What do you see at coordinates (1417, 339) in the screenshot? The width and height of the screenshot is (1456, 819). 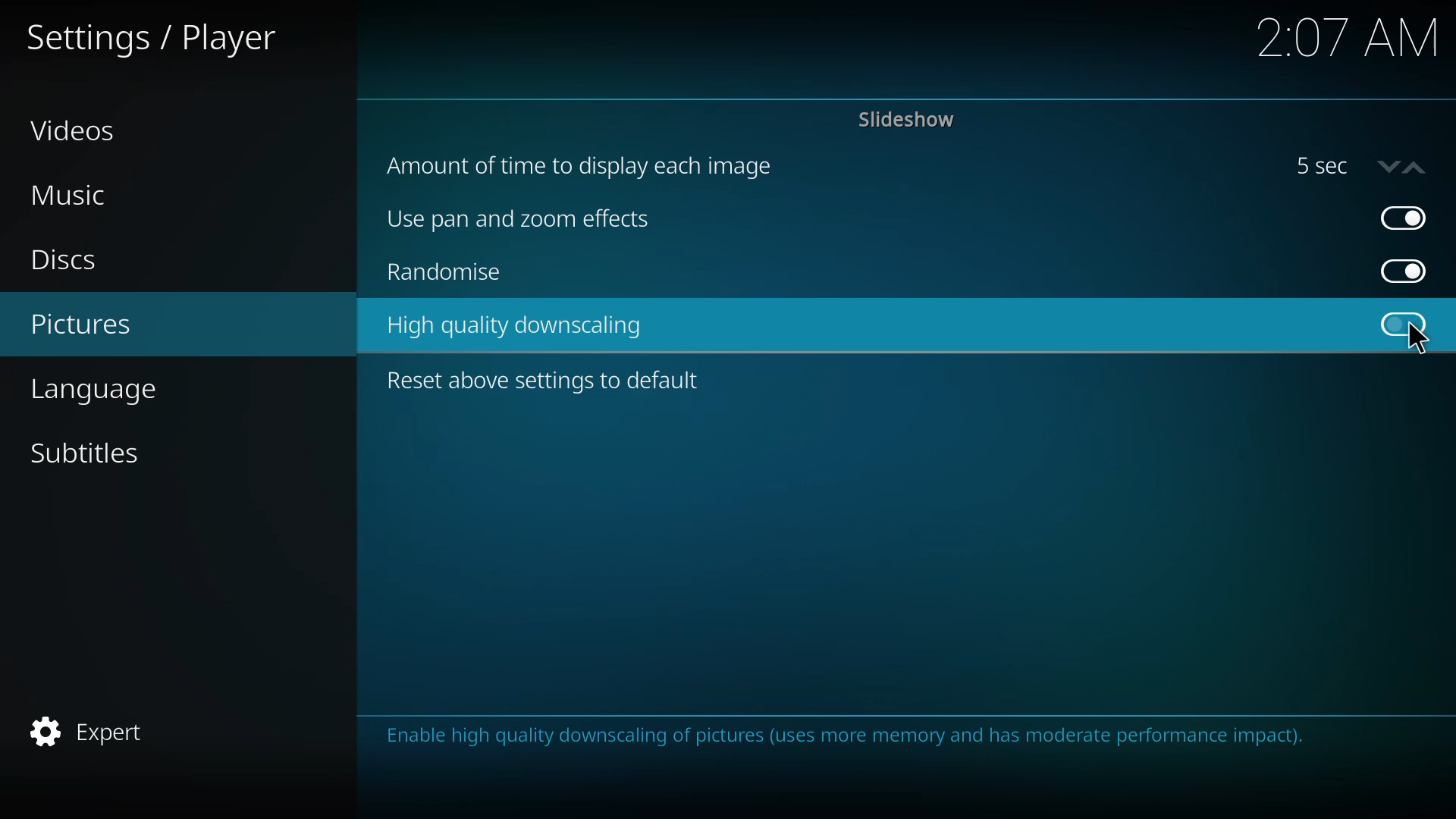 I see `cursor` at bounding box center [1417, 339].